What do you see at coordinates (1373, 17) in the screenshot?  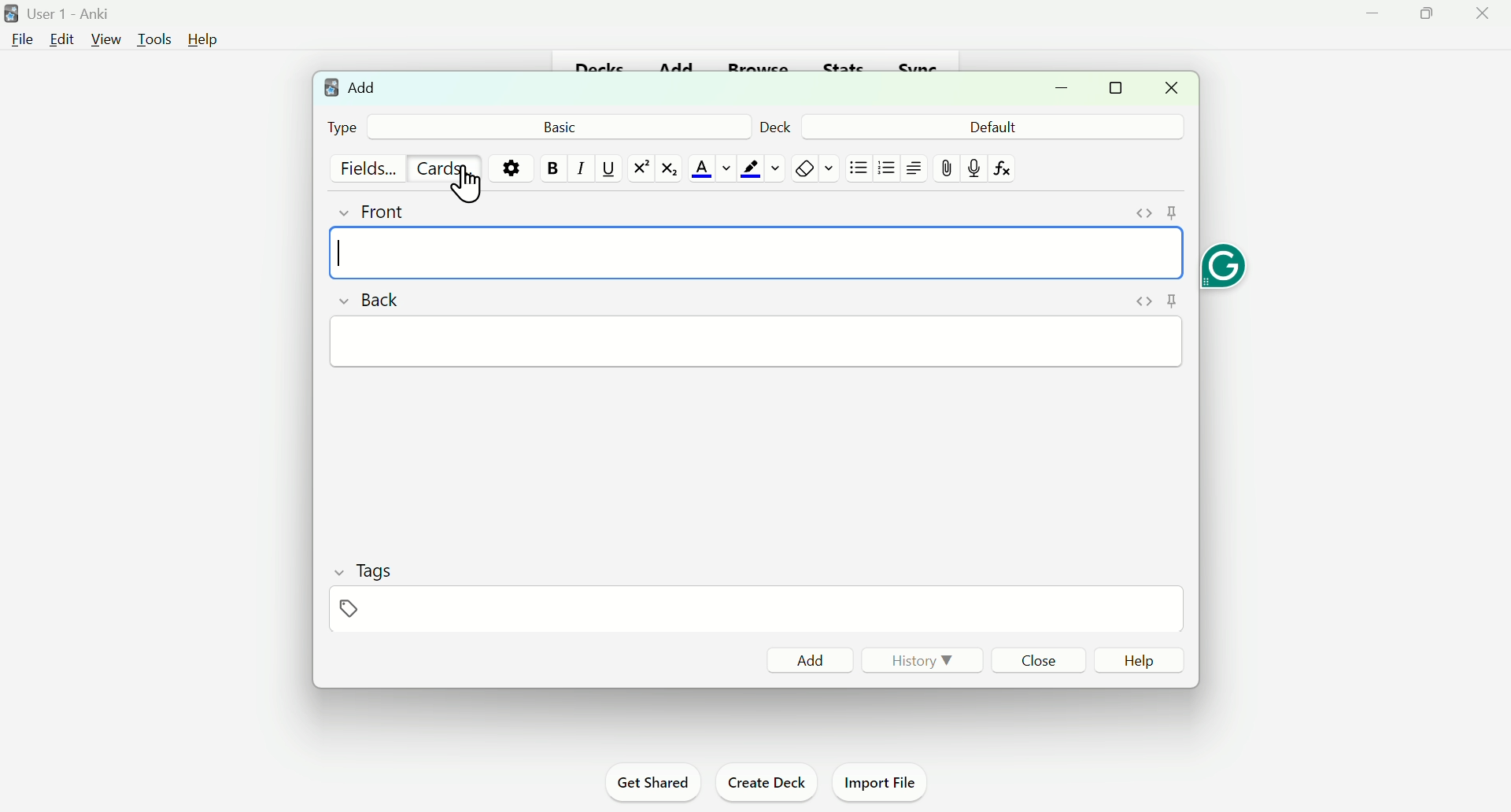 I see `Minimize` at bounding box center [1373, 17].